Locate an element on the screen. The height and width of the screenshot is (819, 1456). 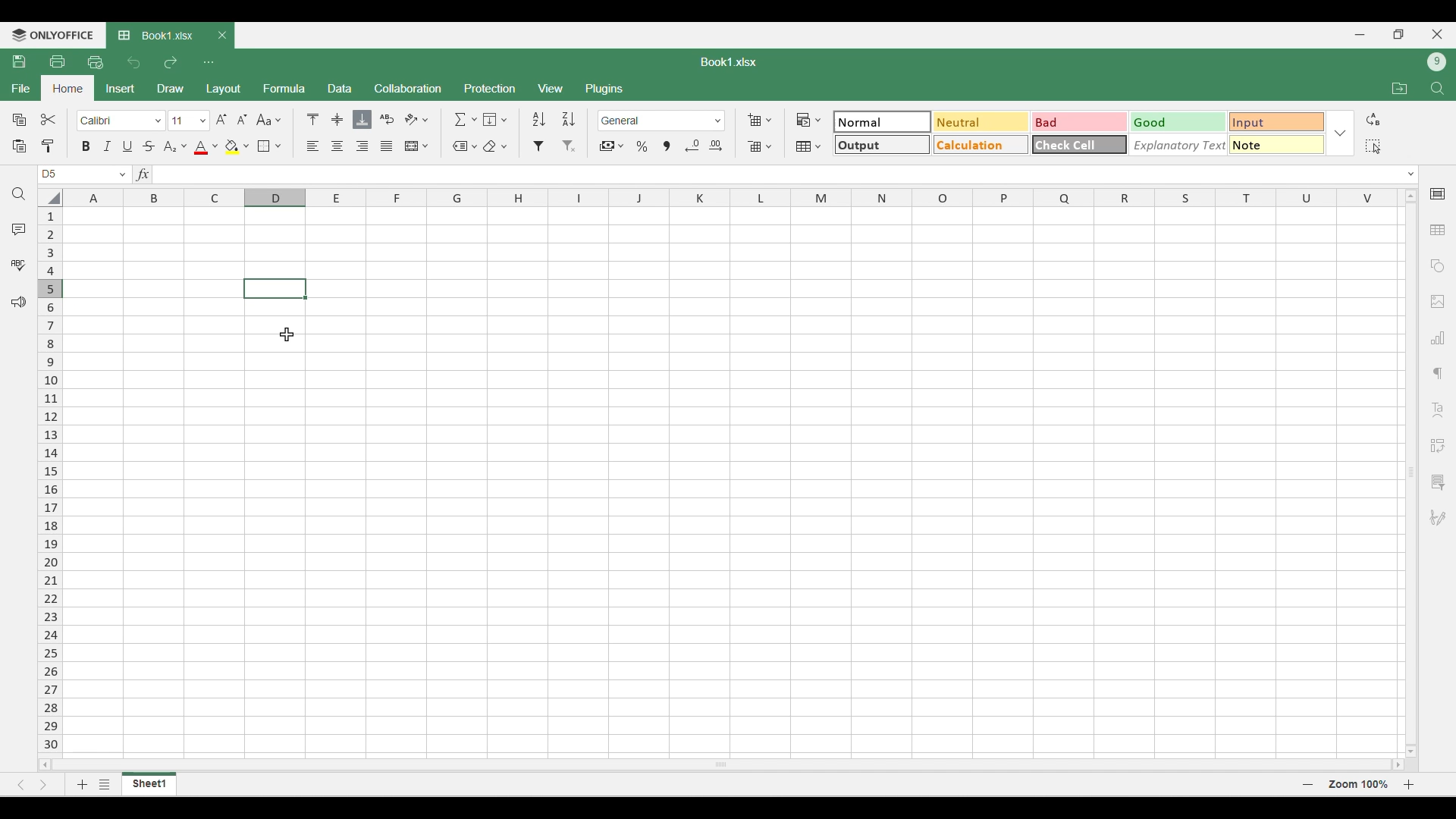
Zoom 100% is located at coordinates (1358, 783).